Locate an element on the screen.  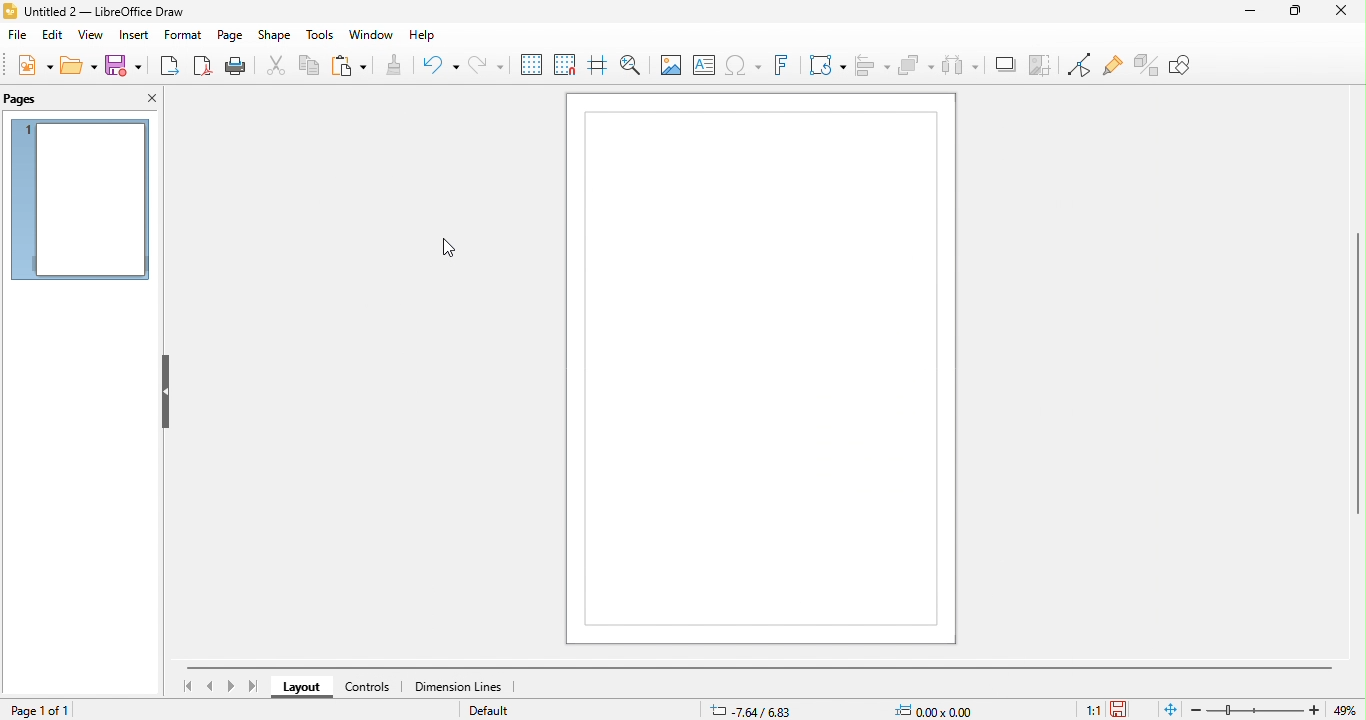
help is located at coordinates (424, 36).